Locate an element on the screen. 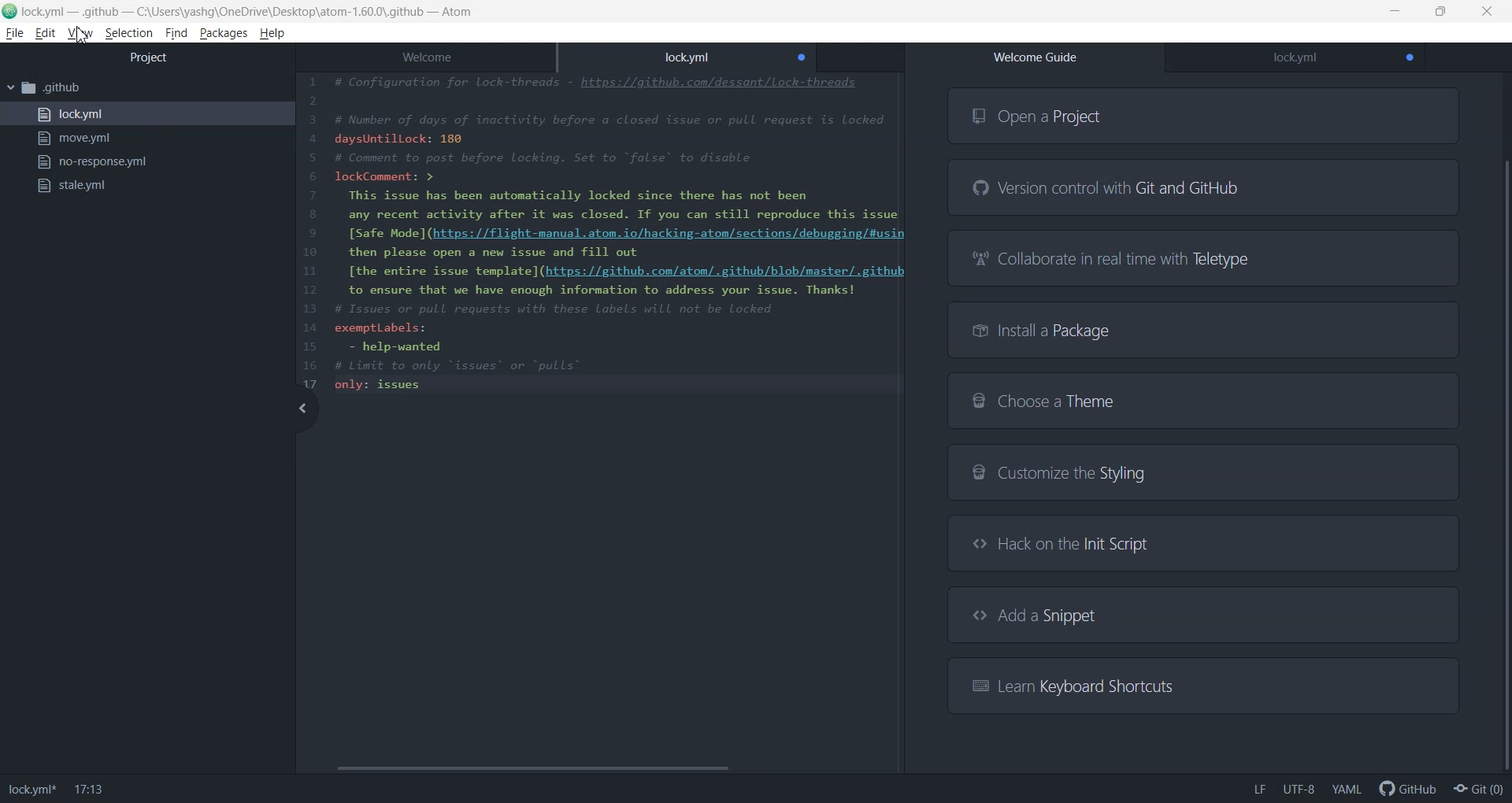 Image resolution: width=1512 pixels, height=803 pixels. View is located at coordinates (80, 32).